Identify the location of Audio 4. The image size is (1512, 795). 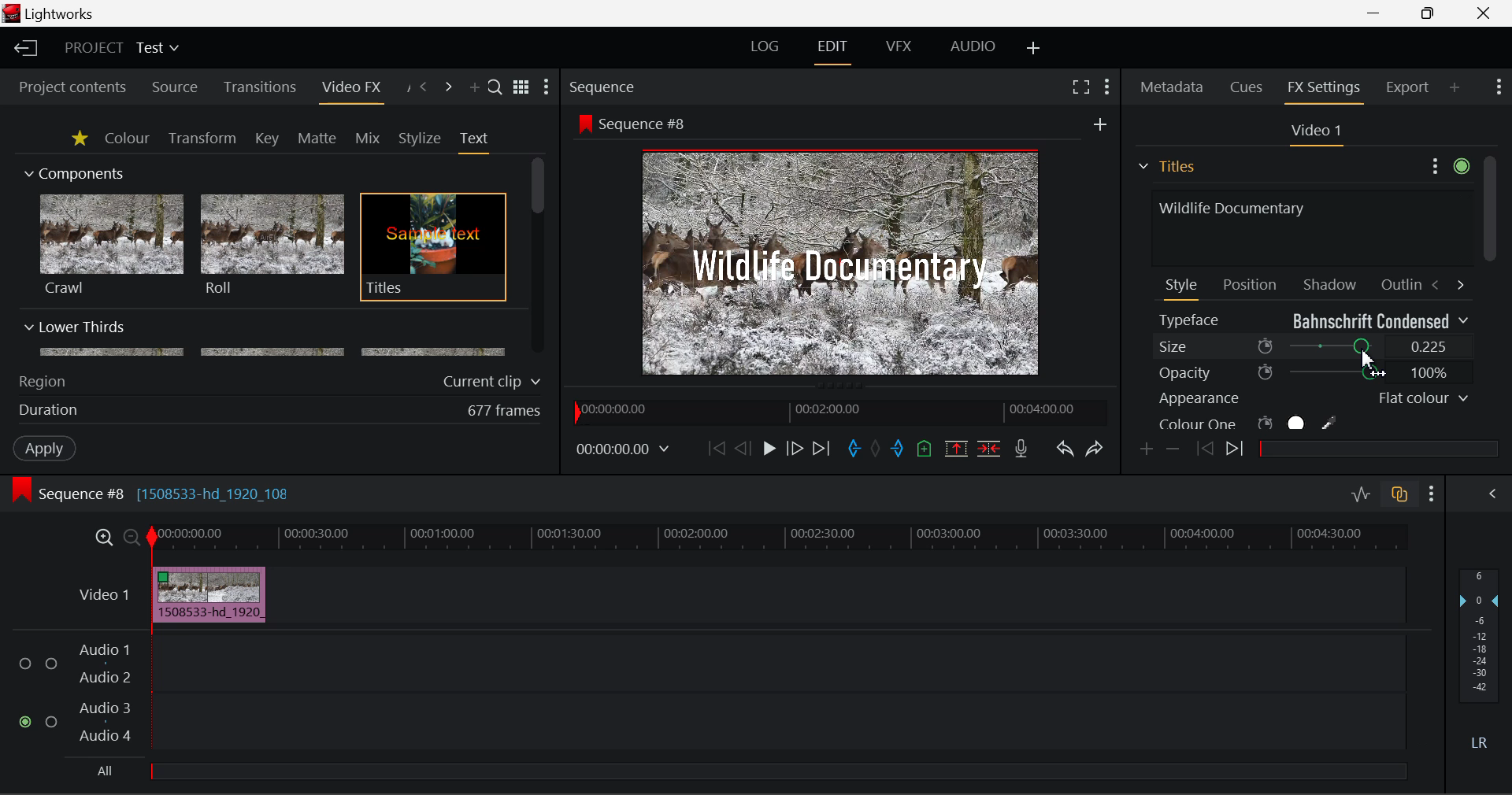
(106, 734).